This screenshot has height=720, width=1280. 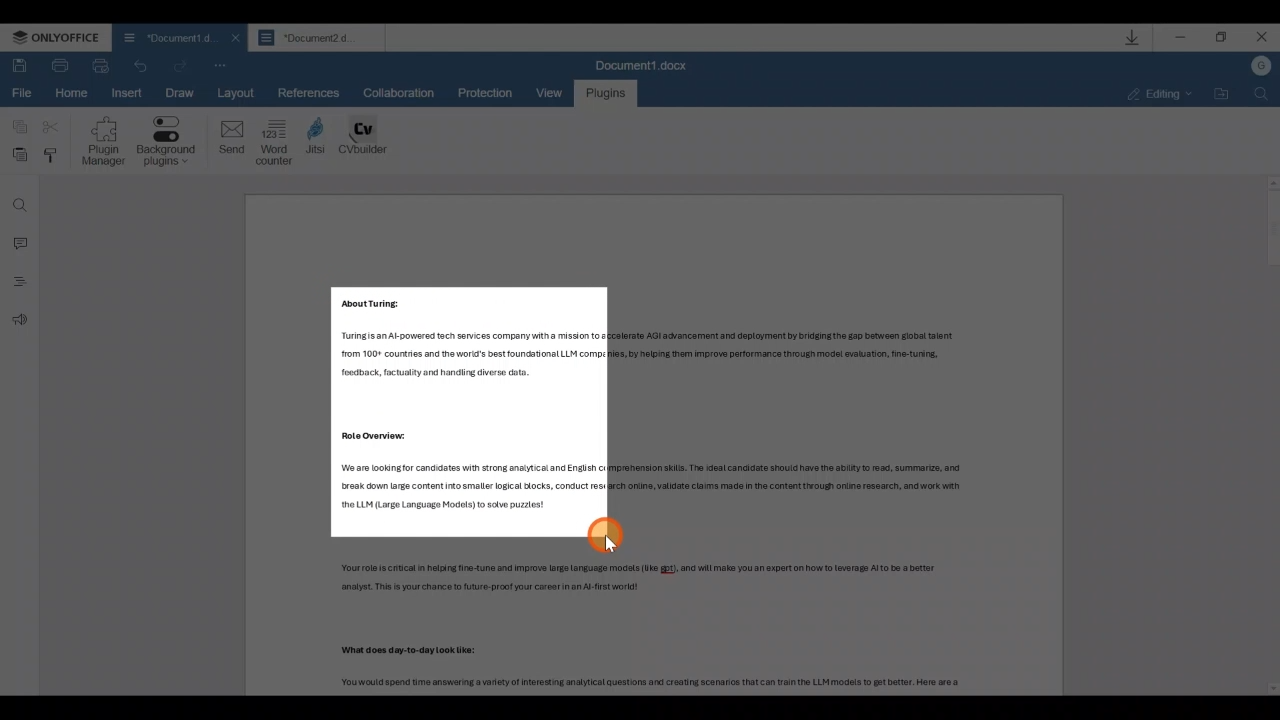 I want to click on References, so click(x=310, y=92).